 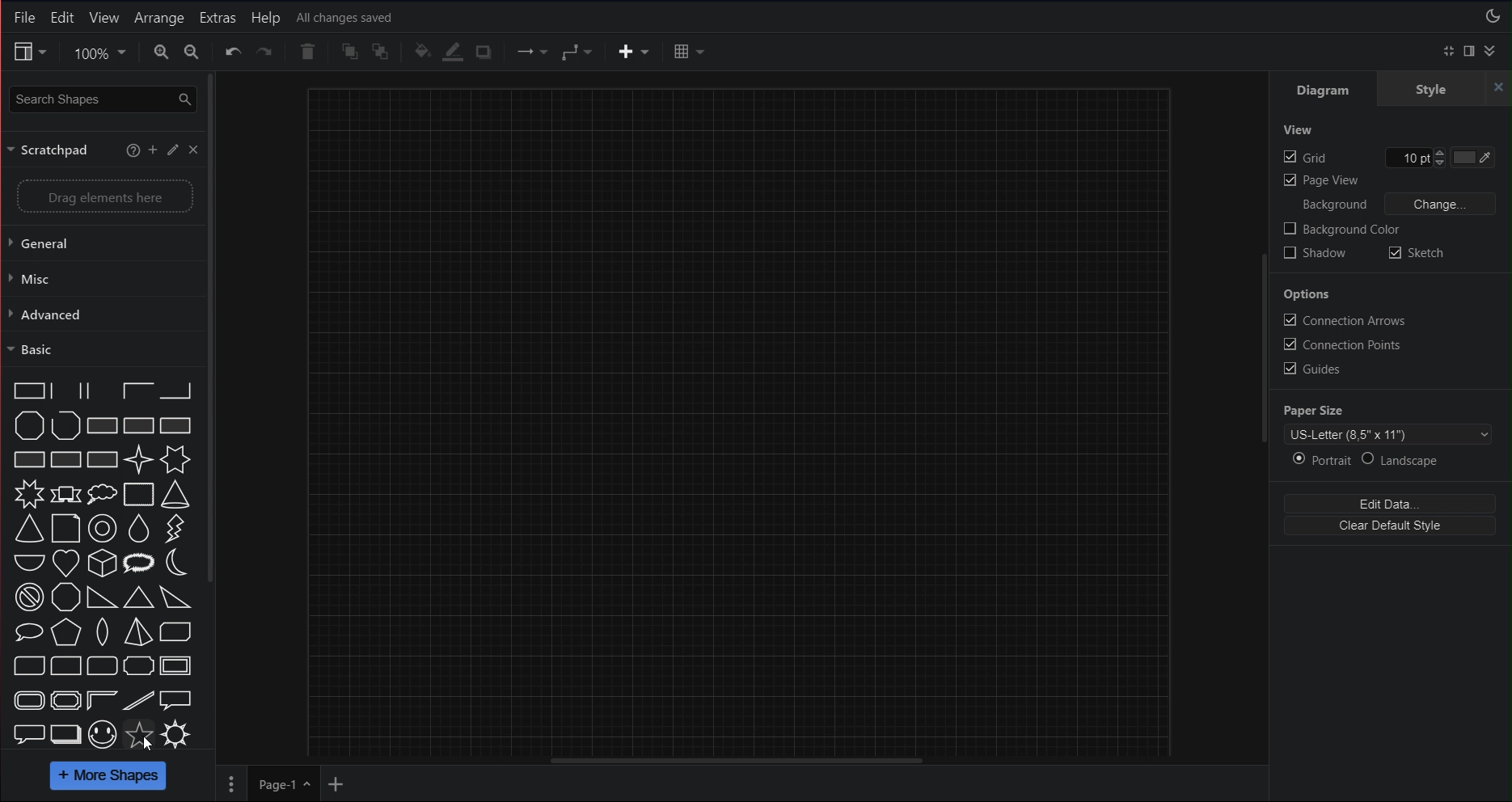 I want to click on Horizontal Scroll bar, so click(x=746, y=759).